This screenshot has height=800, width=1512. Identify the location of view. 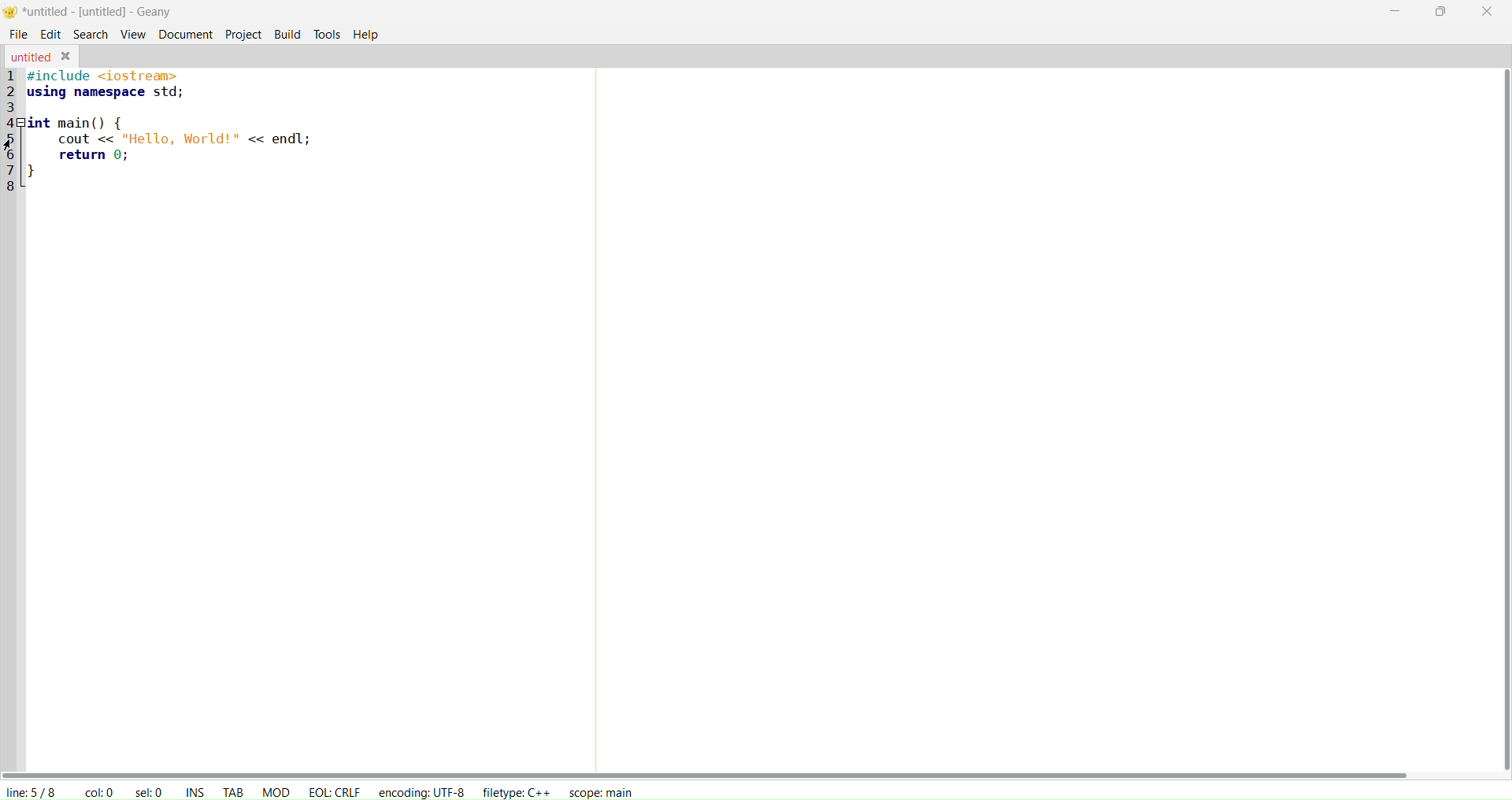
(135, 34).